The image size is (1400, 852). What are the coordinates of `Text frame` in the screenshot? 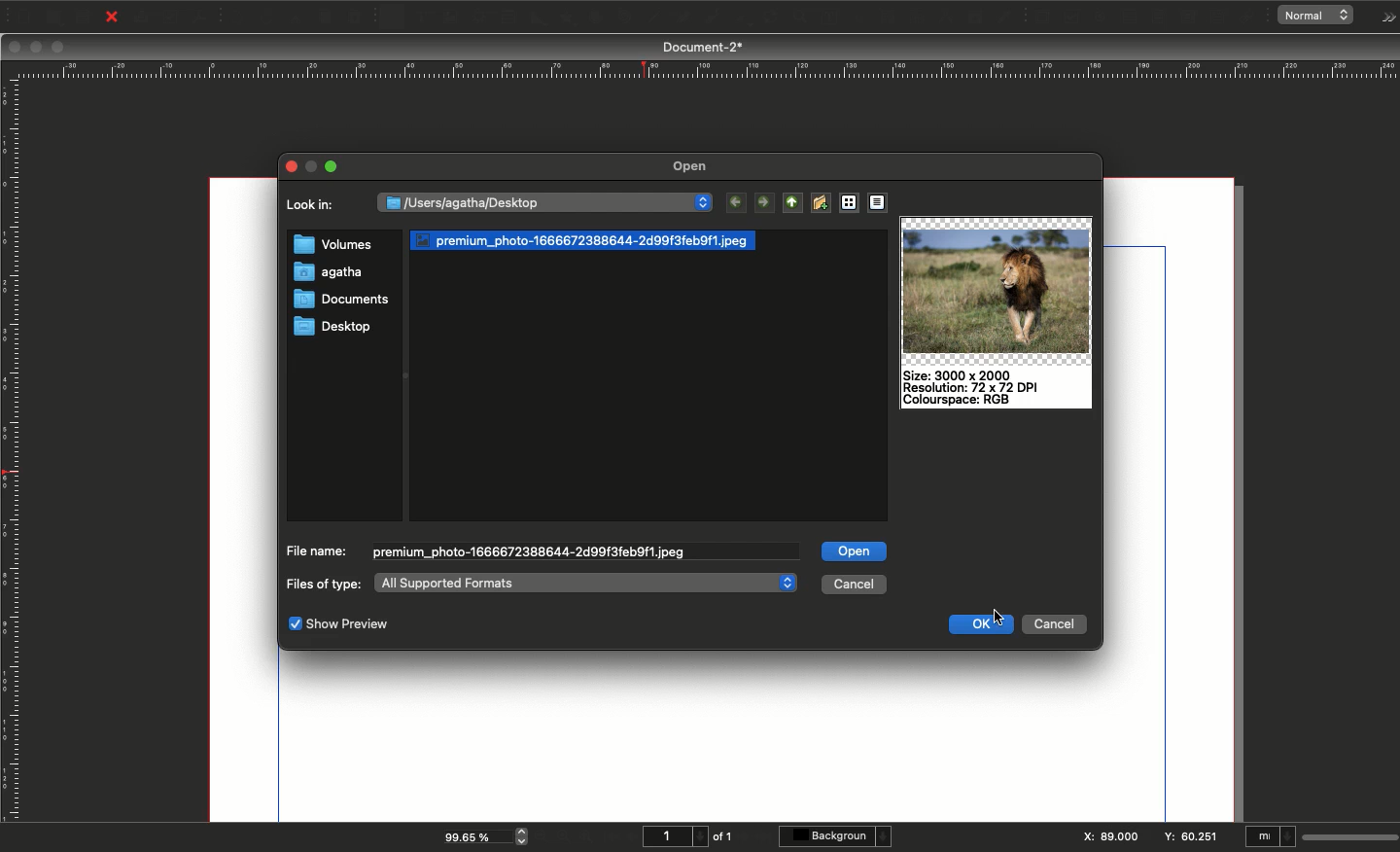 It's located at (421, 19).